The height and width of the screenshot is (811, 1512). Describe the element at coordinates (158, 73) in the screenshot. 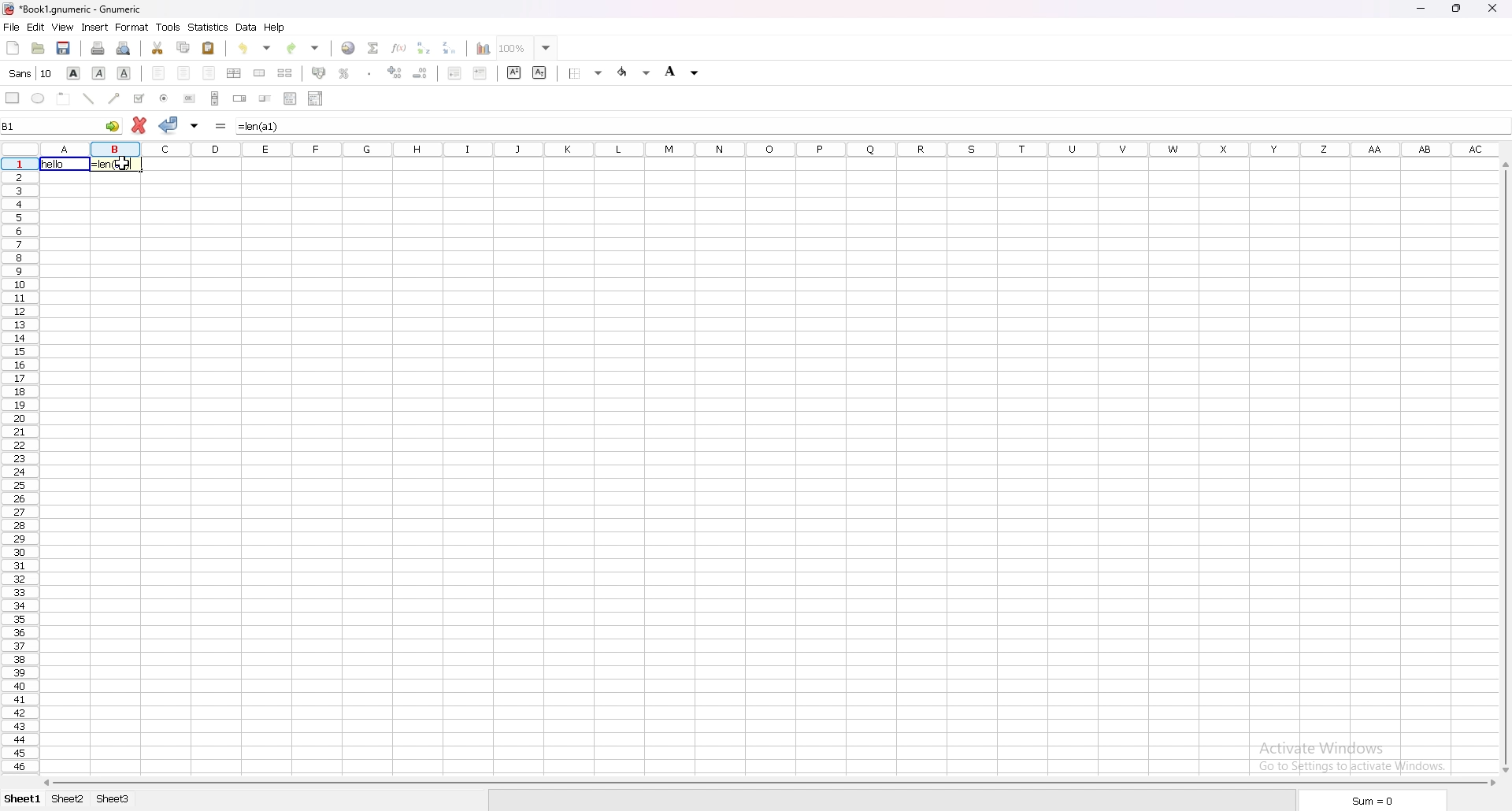

I see `align left` at that location.